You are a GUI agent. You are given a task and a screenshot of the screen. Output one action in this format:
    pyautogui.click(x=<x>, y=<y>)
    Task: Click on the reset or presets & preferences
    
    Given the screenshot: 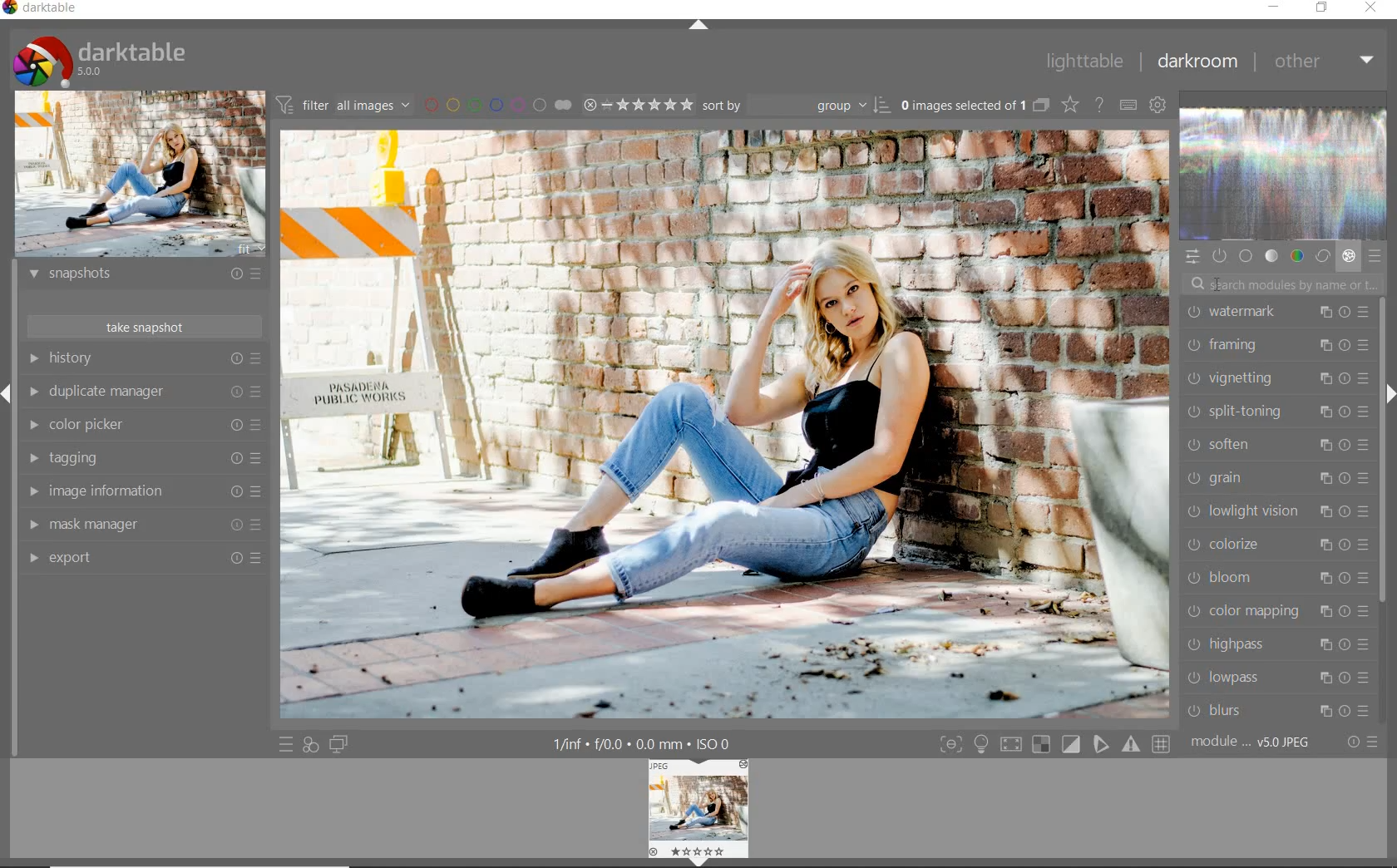 What is the action you would take?
    pyautogui.click(x=1360, y=742)
    